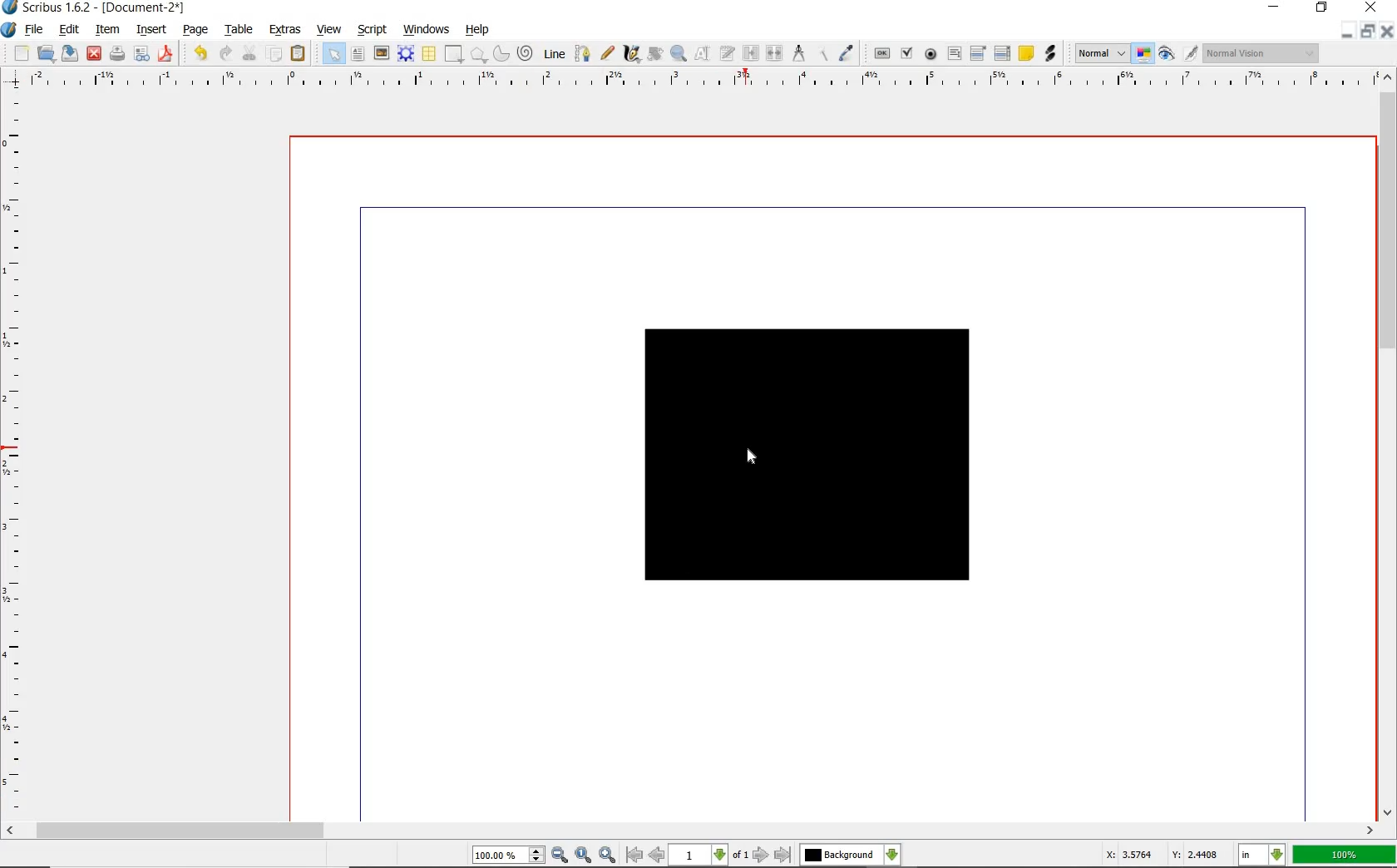 The image size is (1397, 868). I want to click on rotate item, so click(656, 53).